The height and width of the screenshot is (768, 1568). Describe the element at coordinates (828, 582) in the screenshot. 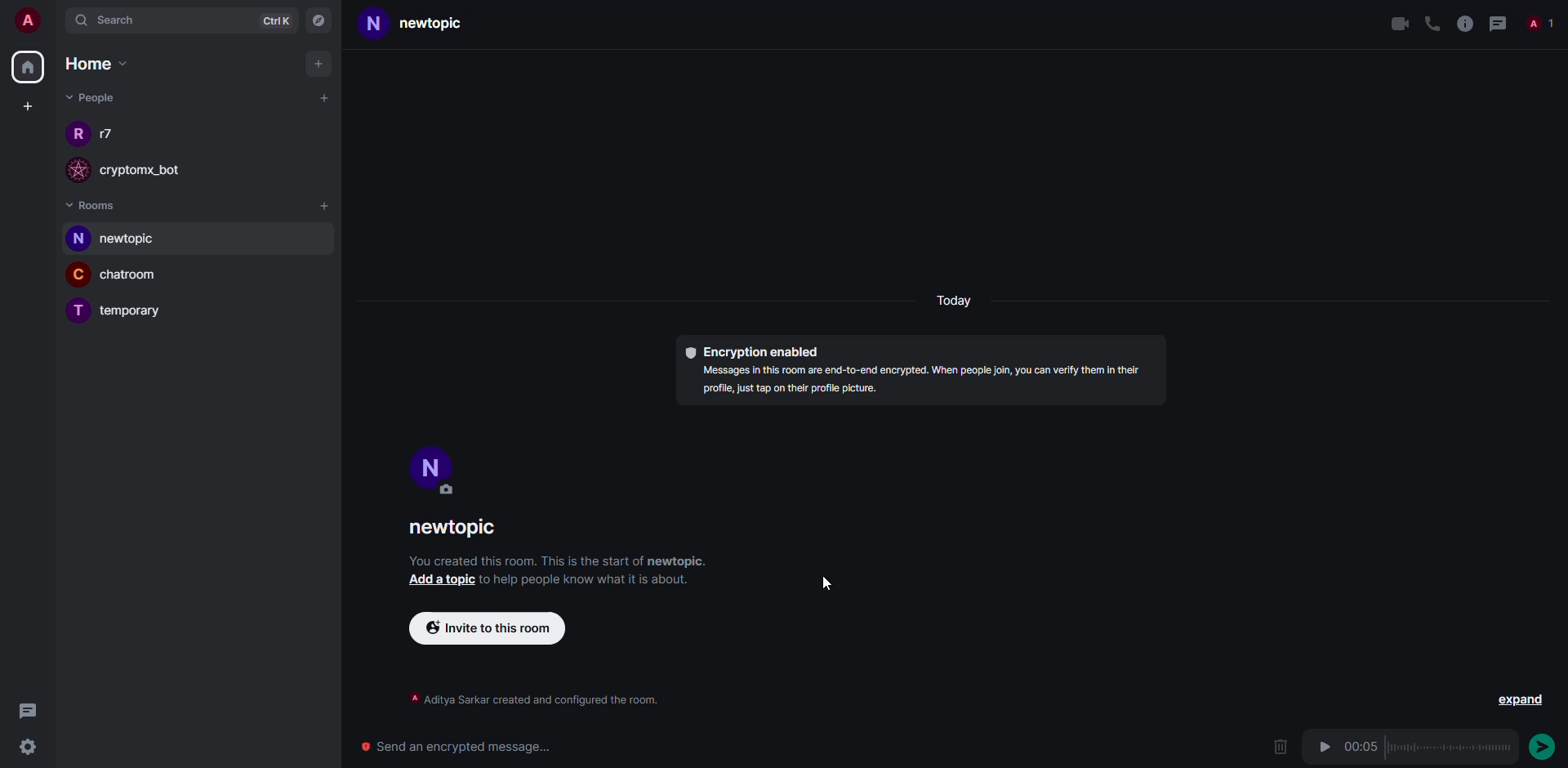

I see `cursor` at that location.